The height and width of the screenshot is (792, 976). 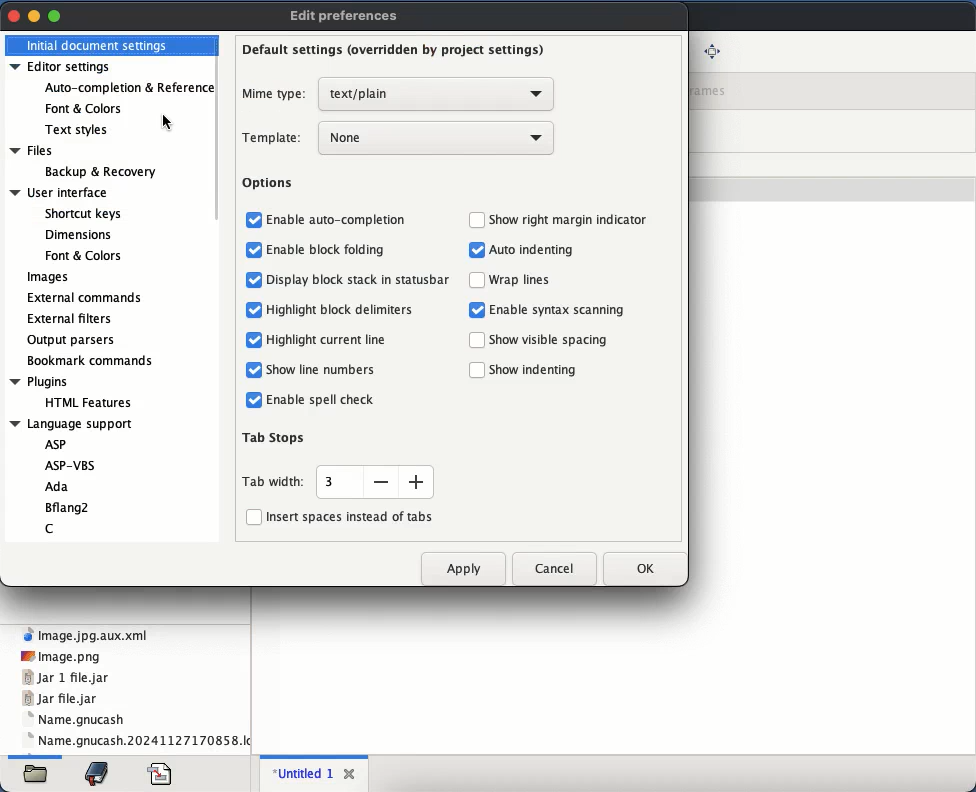 What do you see at coordinates (74, 341) in the screenshot?
I see `output parsers` at bounding box center [74, 341].